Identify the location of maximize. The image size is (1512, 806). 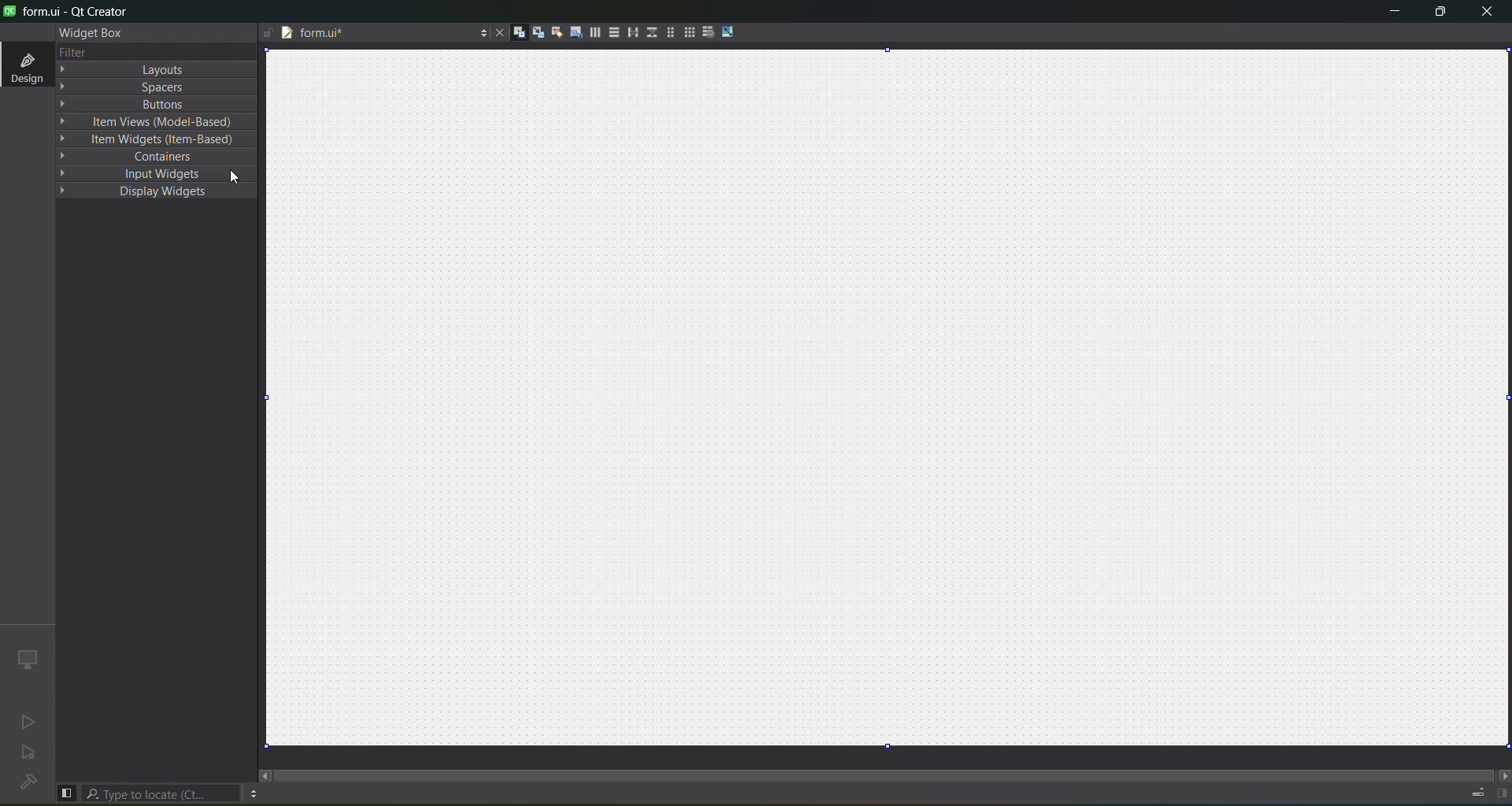
(1443, 16).